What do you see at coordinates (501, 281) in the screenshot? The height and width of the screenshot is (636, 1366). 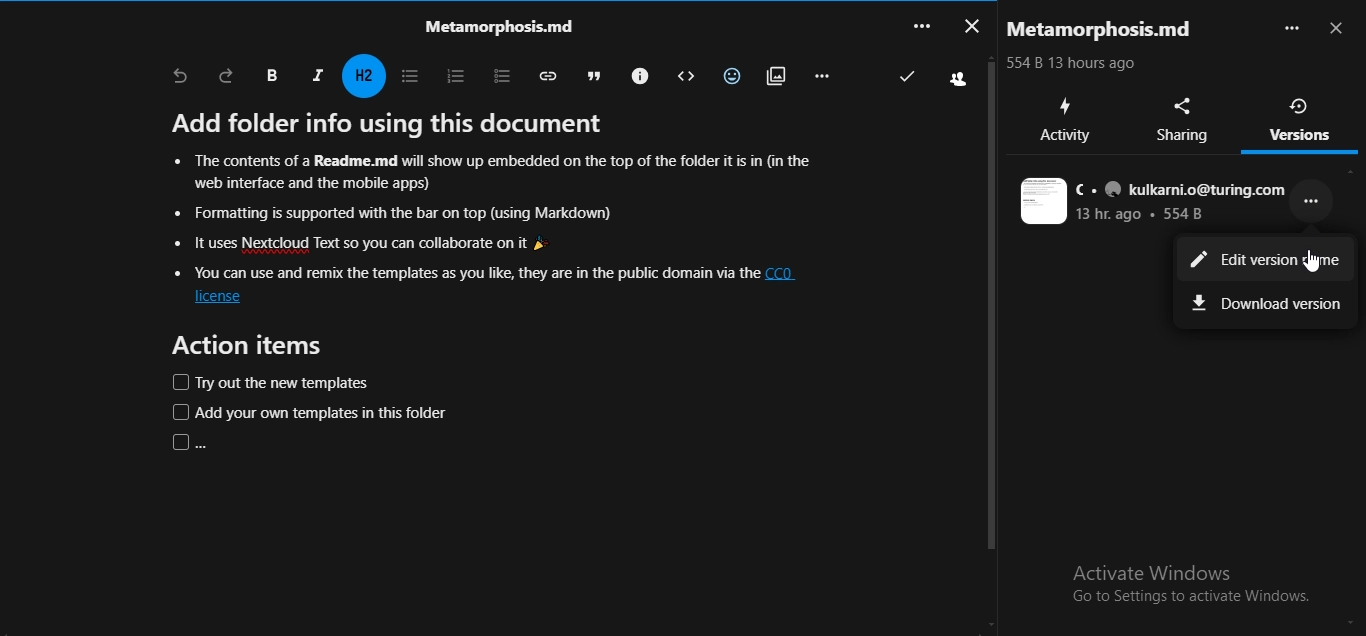 I see `text` at bounding box center [501, 281].